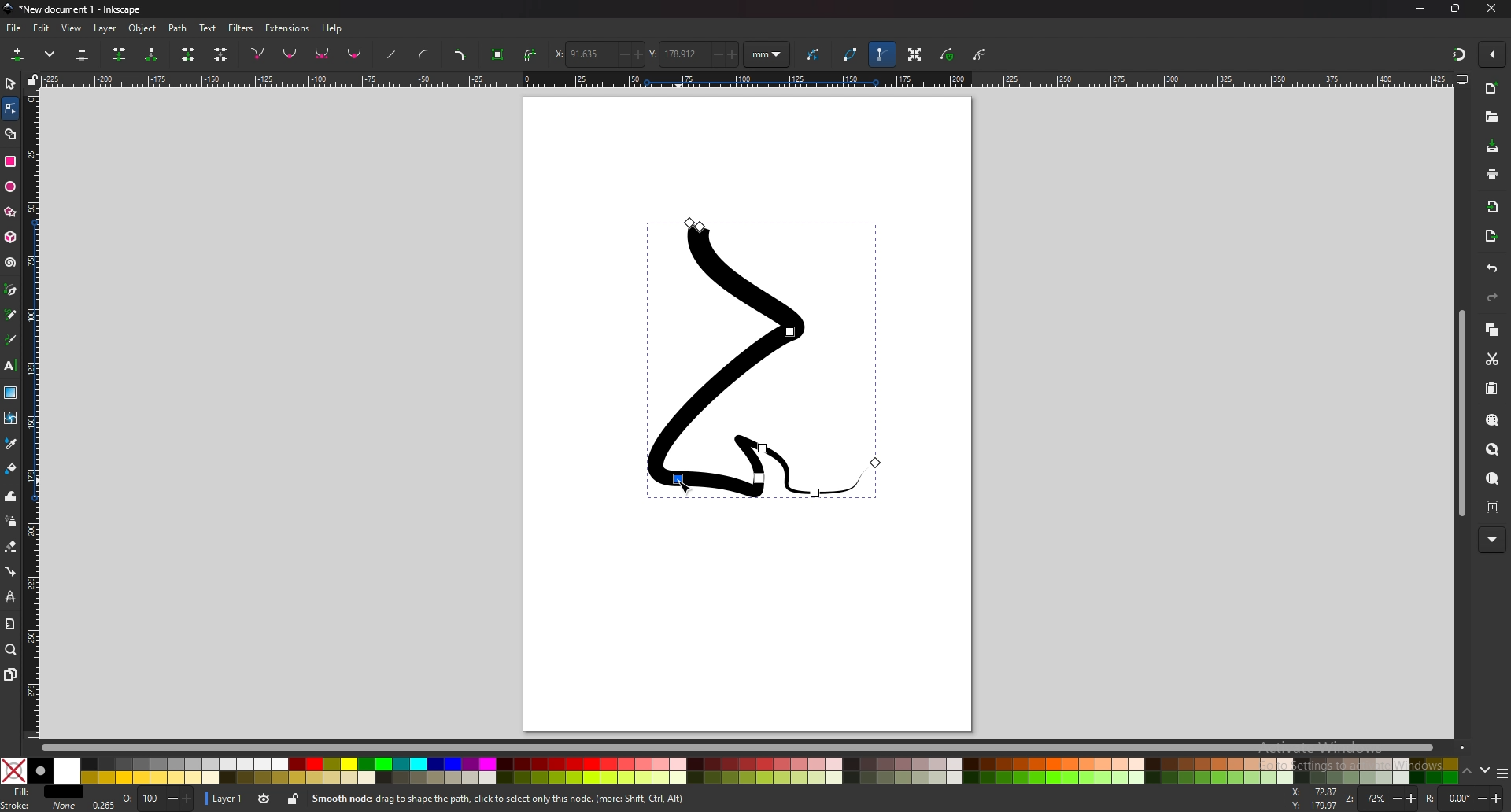 Image resolution: width=1511 pixels, height=812 pixels. I want to click on lock, so click(292, 801).